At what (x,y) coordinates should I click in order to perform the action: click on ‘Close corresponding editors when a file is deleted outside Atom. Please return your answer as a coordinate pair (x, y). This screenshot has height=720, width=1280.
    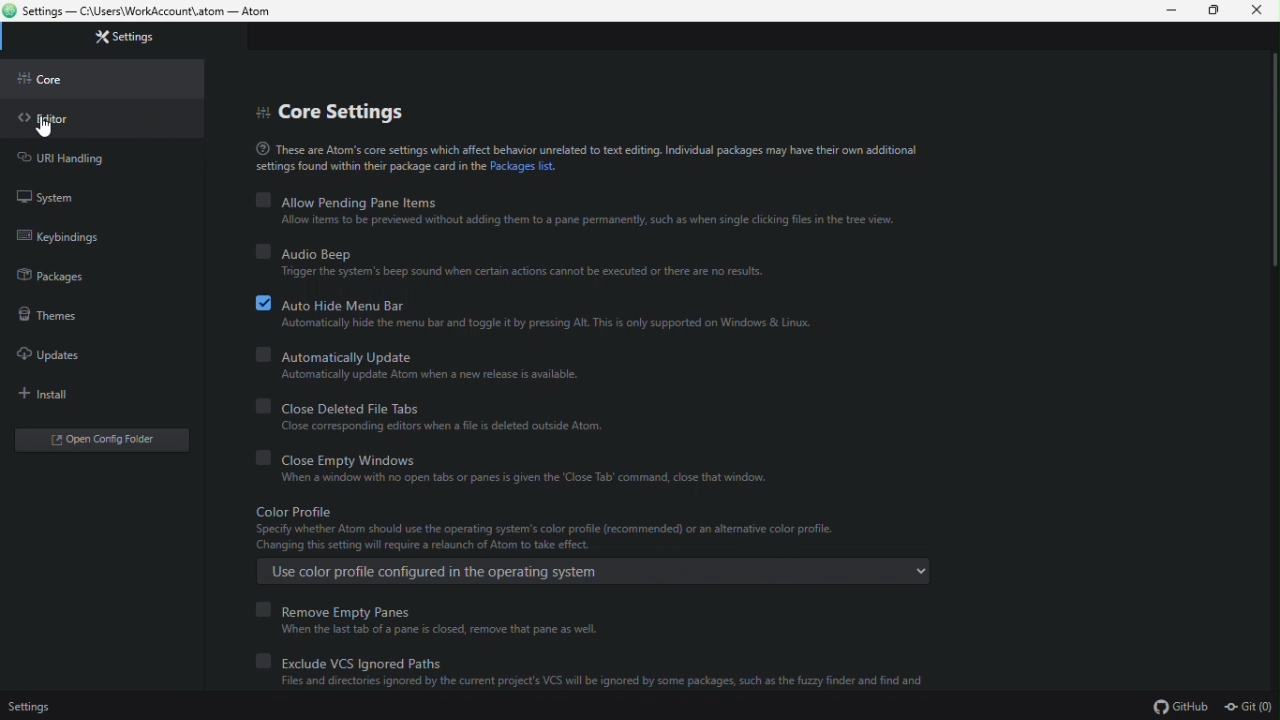
    Looking at the image, I should click on (441, 427).